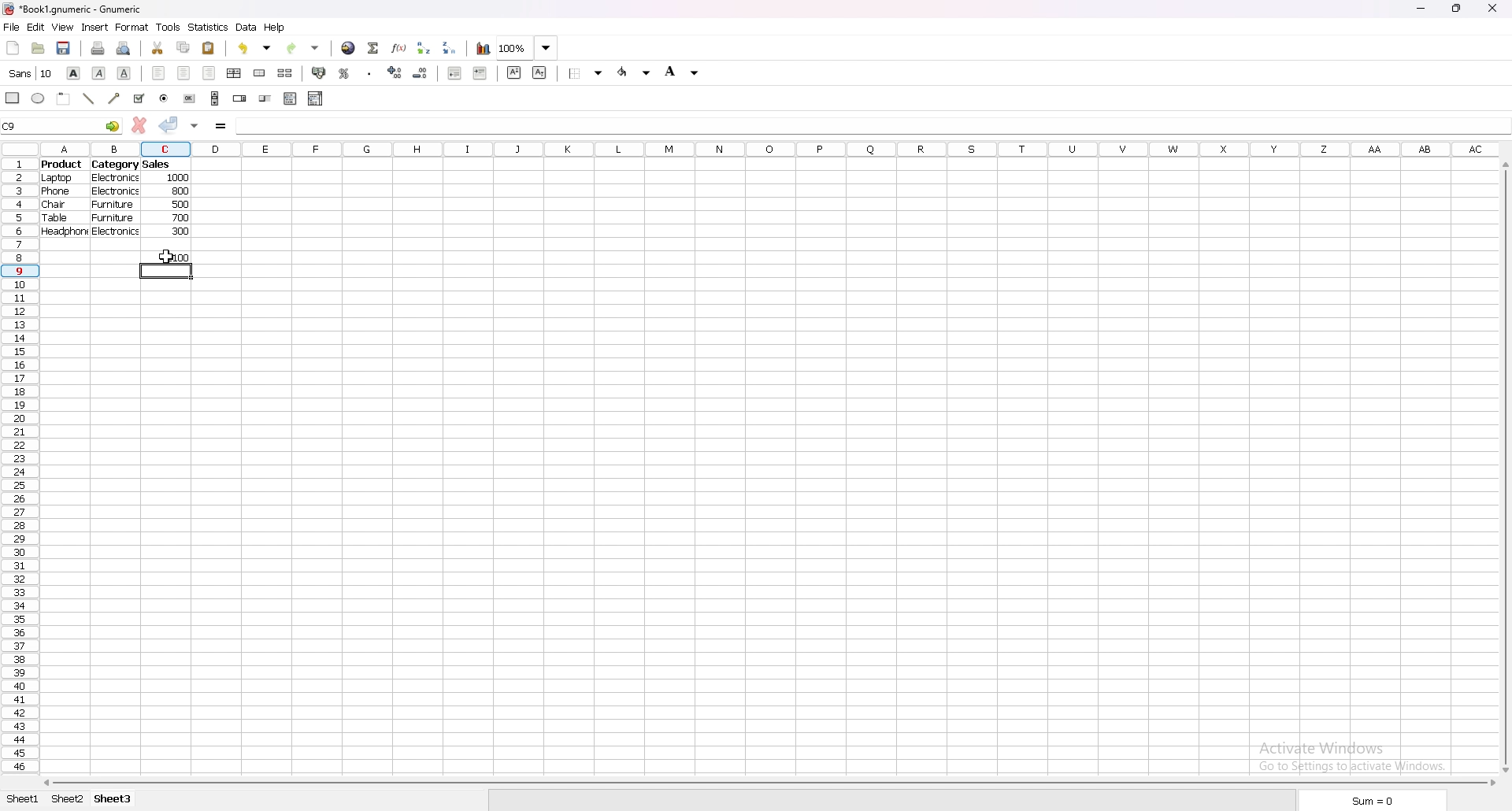 The height and width of the screenshot is (811, 1512). Describe the element at coordinates (159, 73) in the screenshot. I see `left align` at that location.